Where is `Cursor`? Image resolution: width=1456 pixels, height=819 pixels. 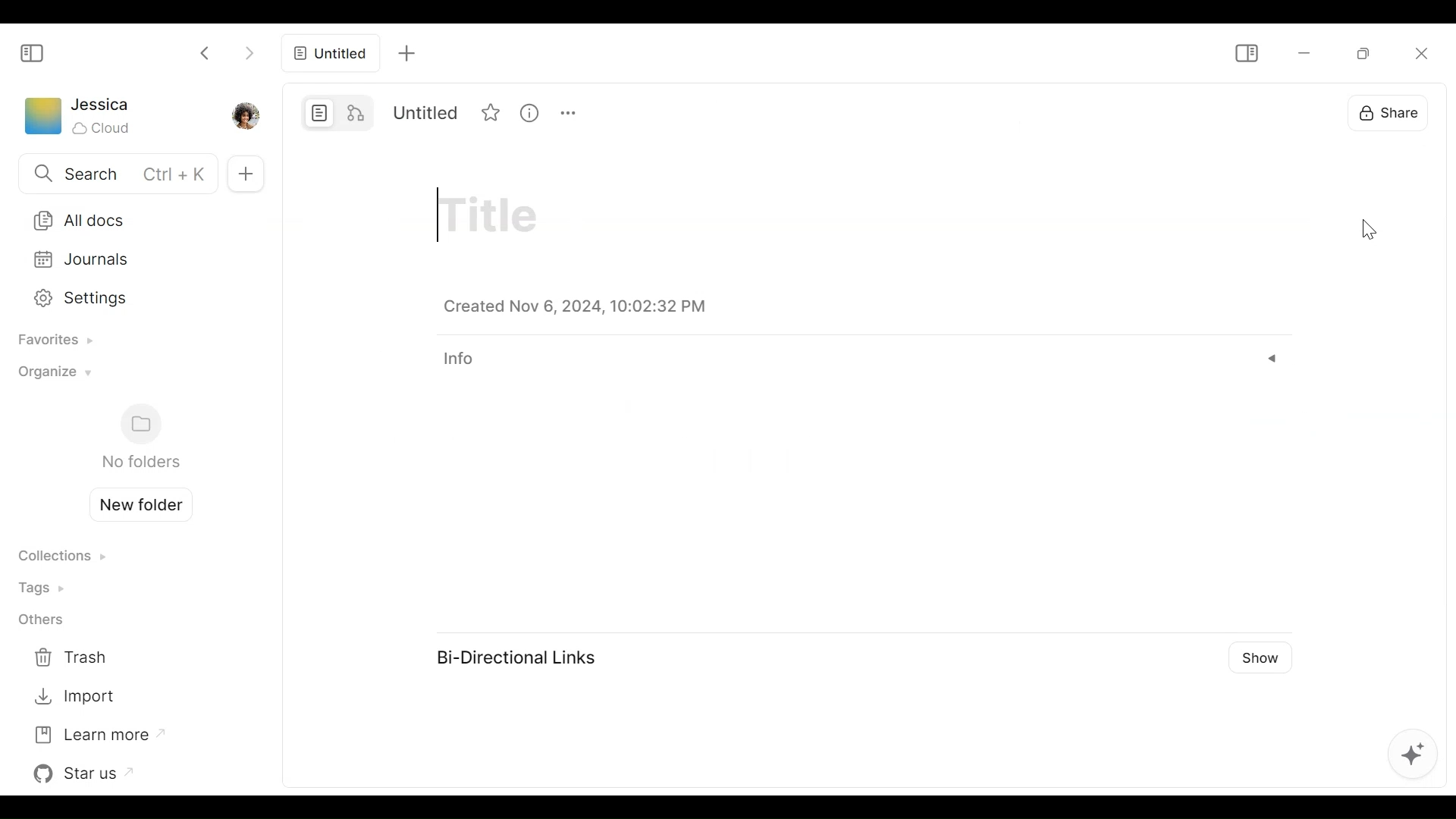 Cursor is located at coordinates (1372, 229).